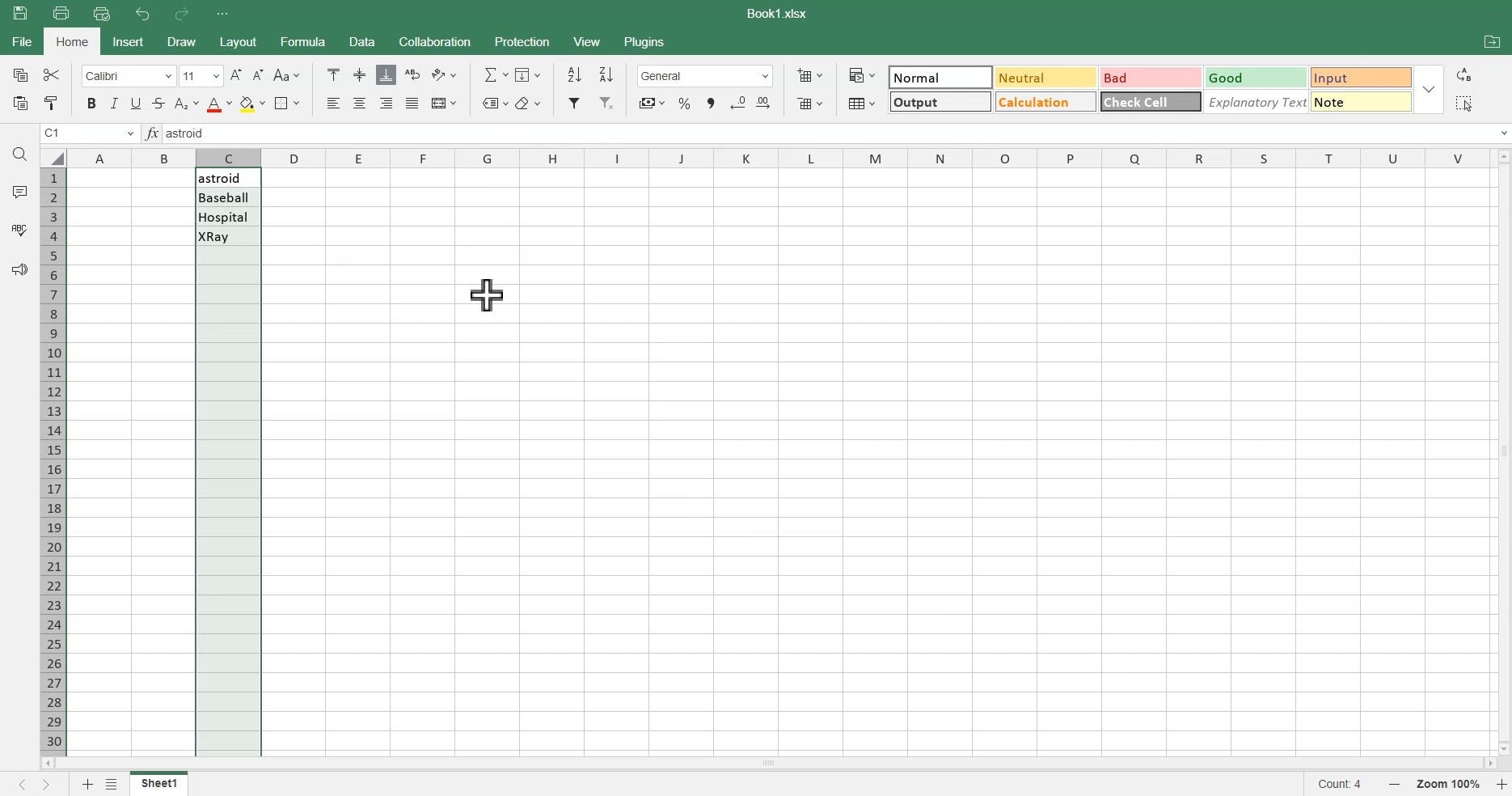 The width and height of the screenshot is (1512, 796). What do you see at coordinates (1502, 450) in the screenshot?
I see `Vertical scroll bar` at bounding box center [1502, 450].